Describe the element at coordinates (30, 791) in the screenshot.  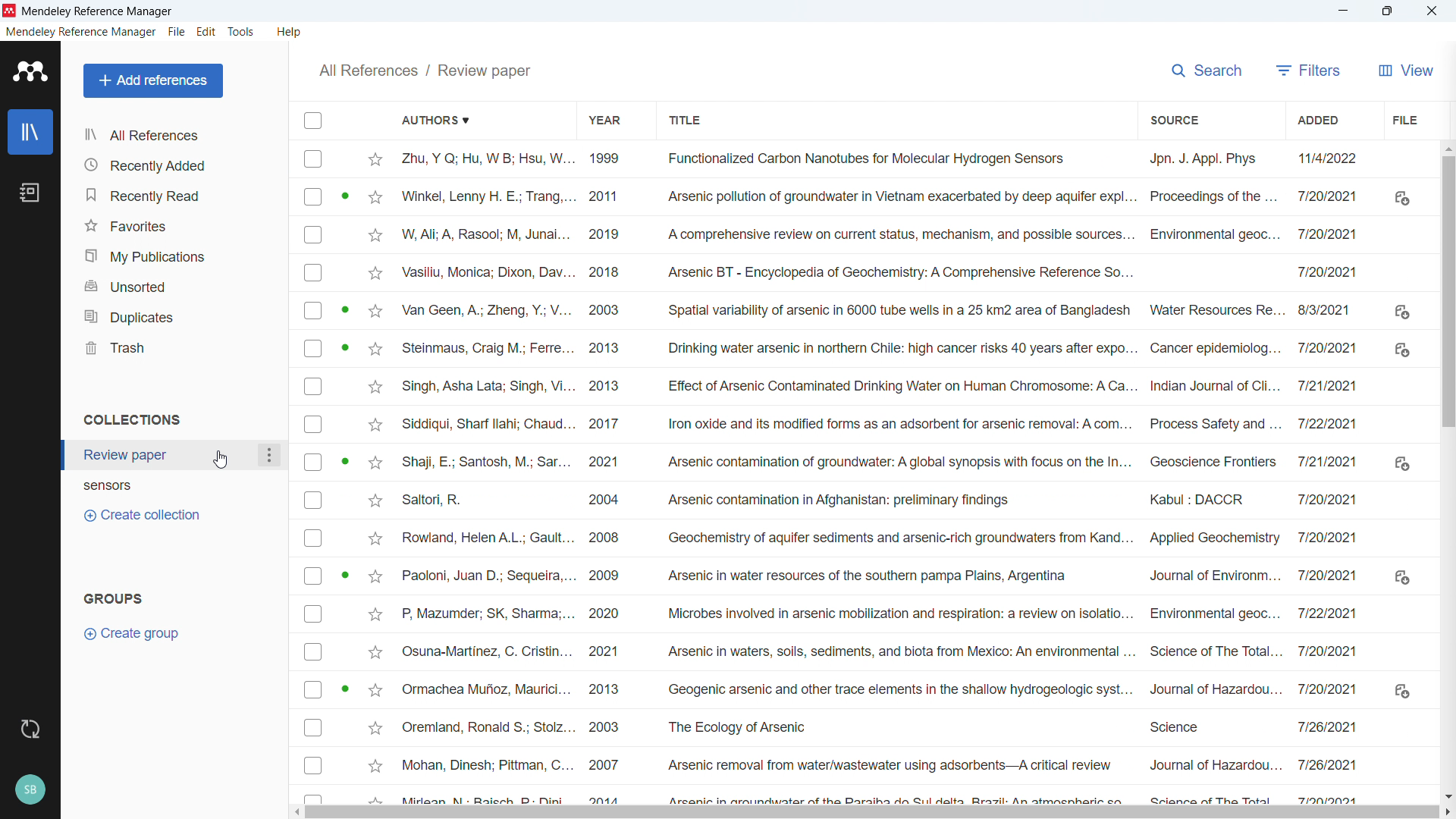
I see `Profile ` at that location.